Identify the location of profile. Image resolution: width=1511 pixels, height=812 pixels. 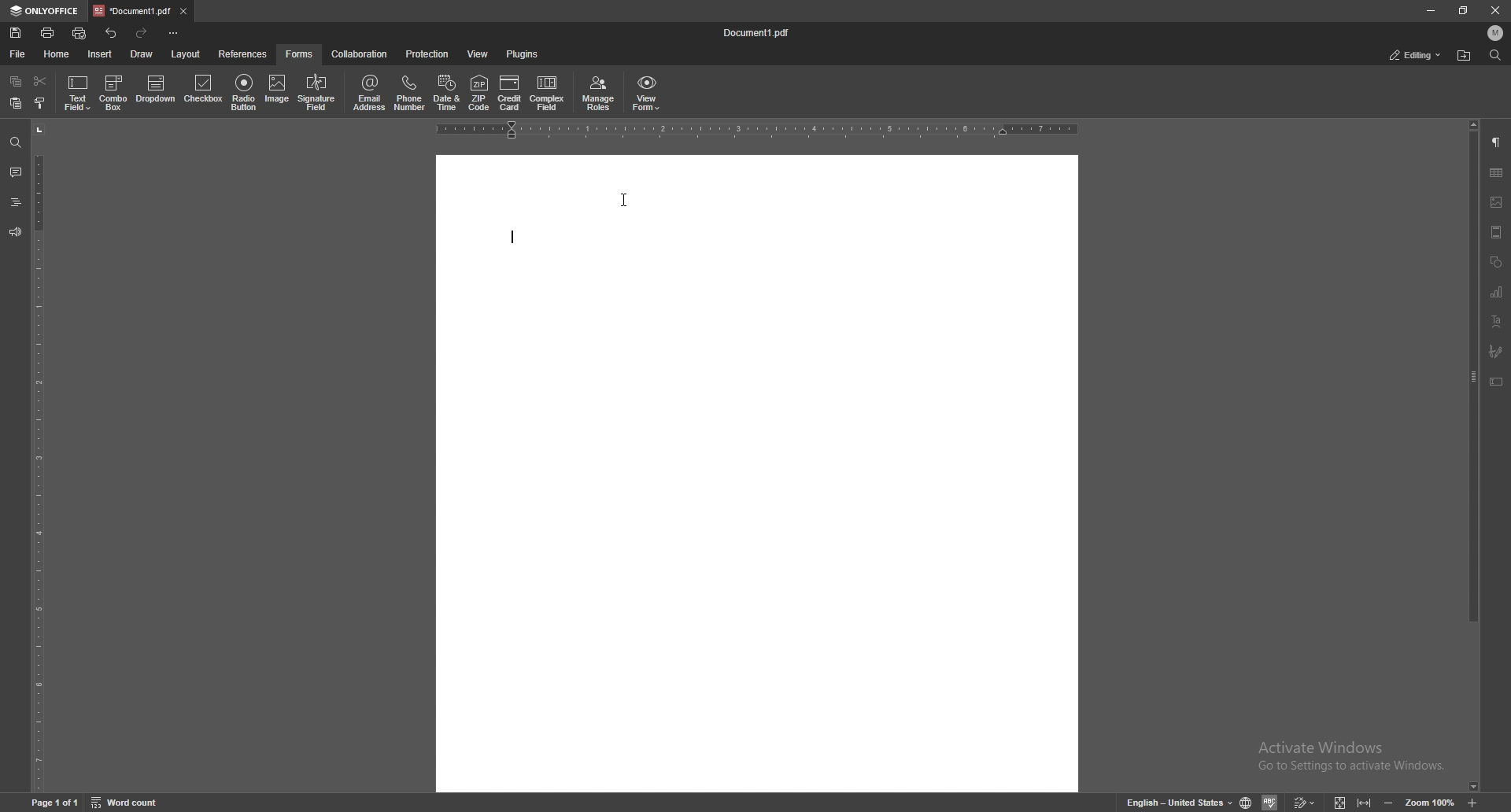
(1495, 32).